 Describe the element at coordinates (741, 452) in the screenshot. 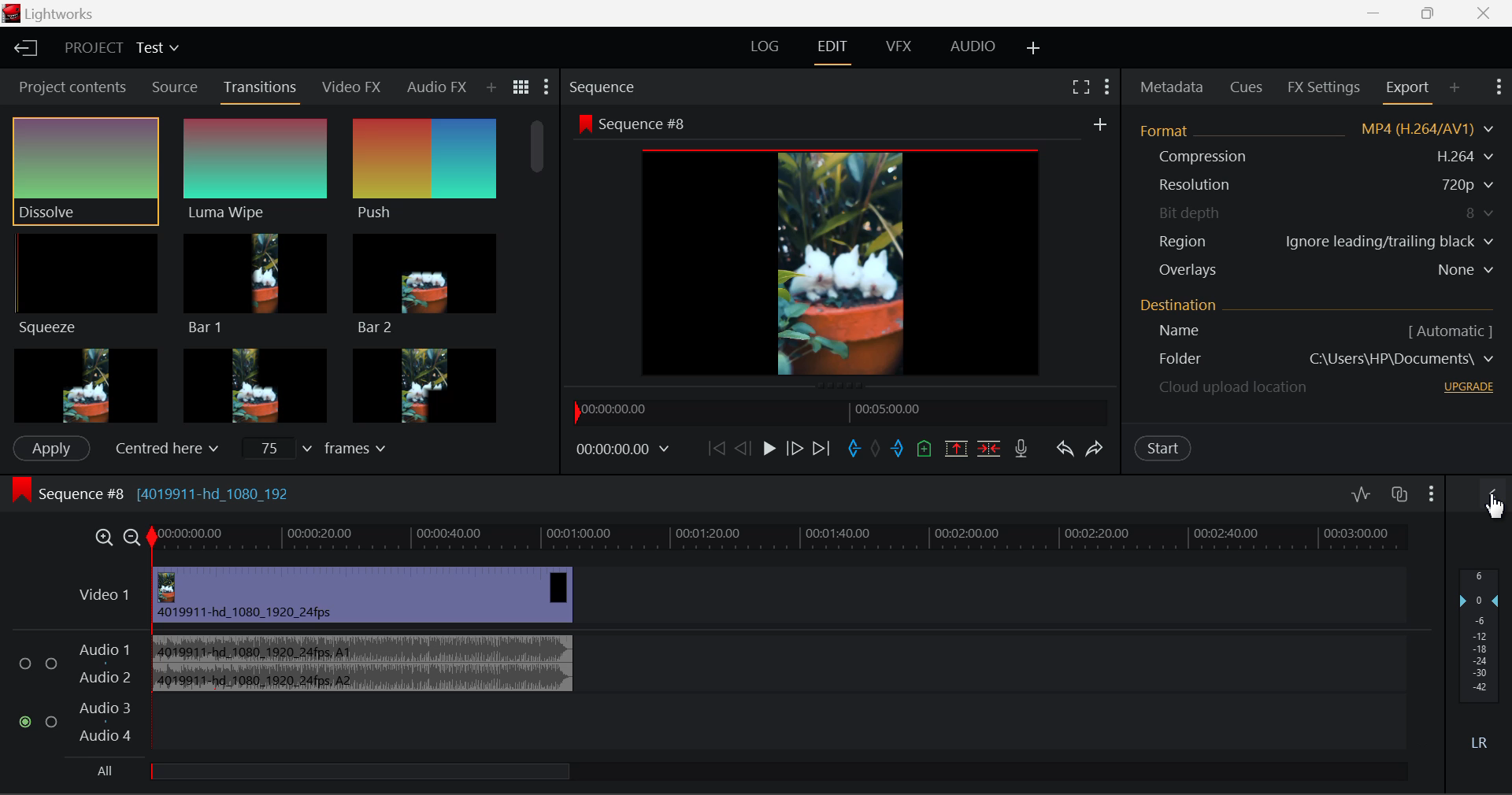

I see `Go Back` at that location.